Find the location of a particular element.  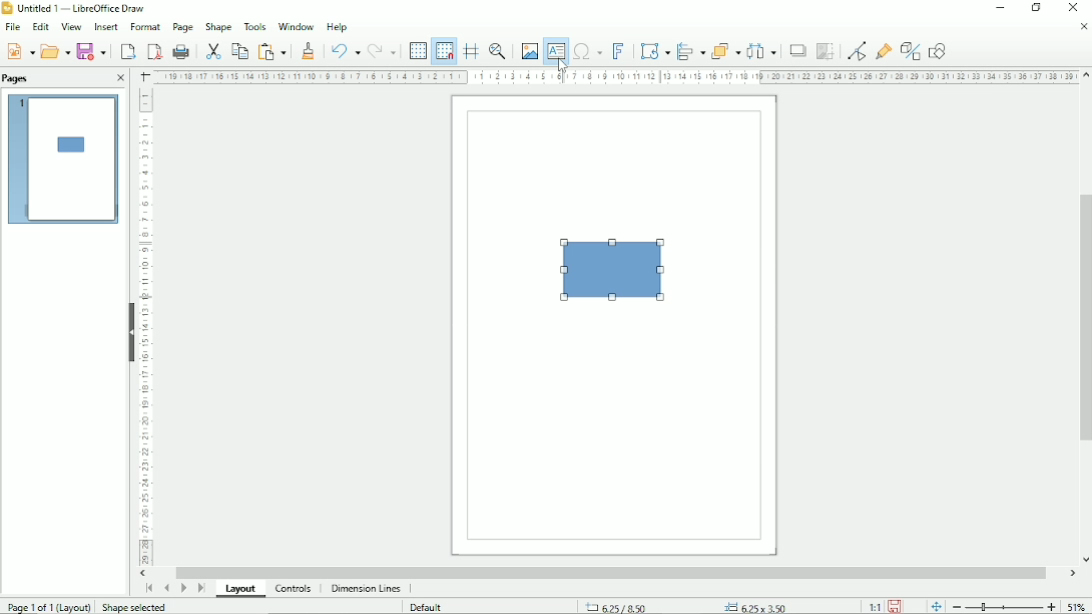

Scaling factor is located at coordinates (874, 607).